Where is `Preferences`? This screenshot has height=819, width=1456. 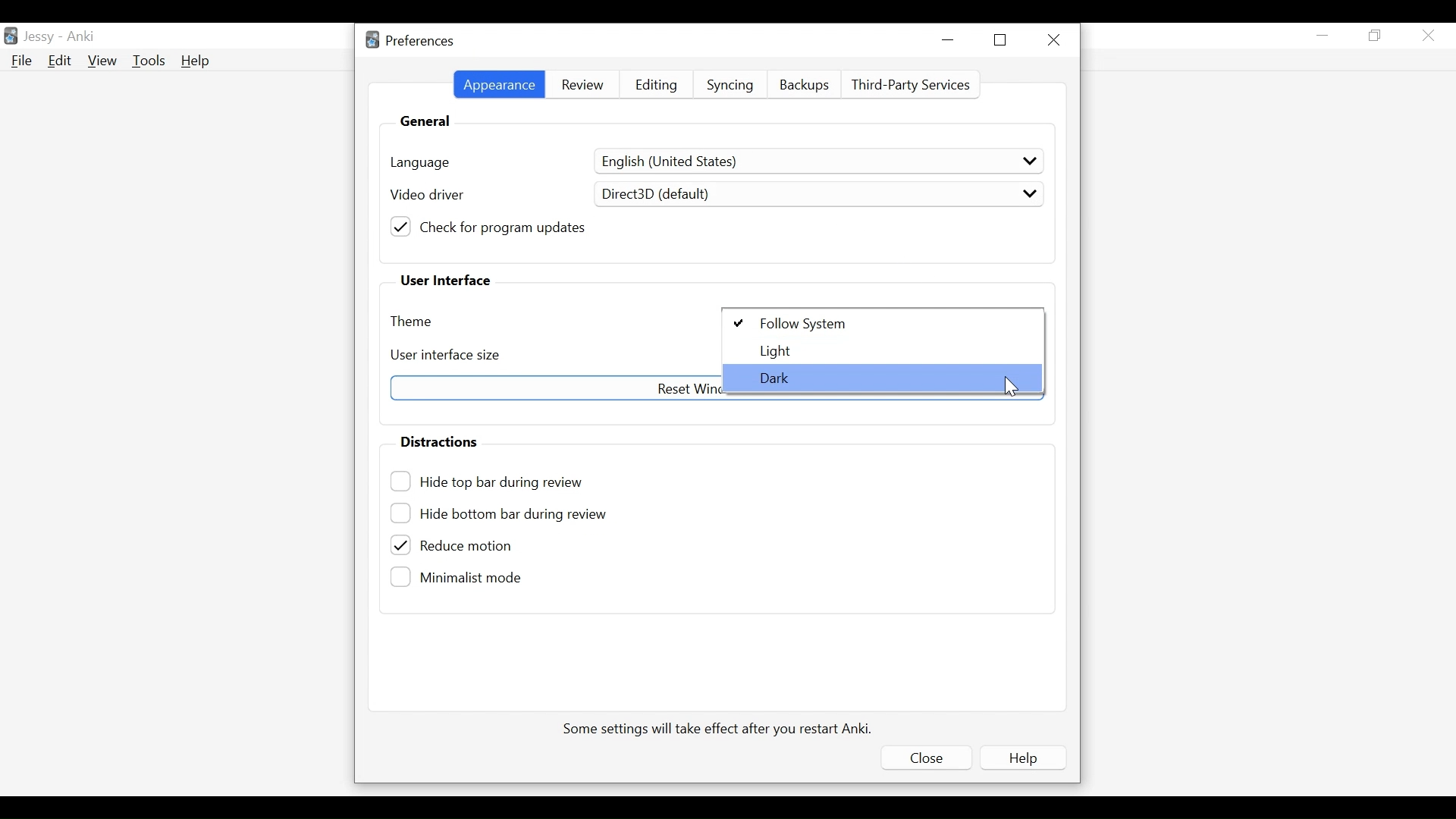 Preferences is located at coordinates (410, 42).